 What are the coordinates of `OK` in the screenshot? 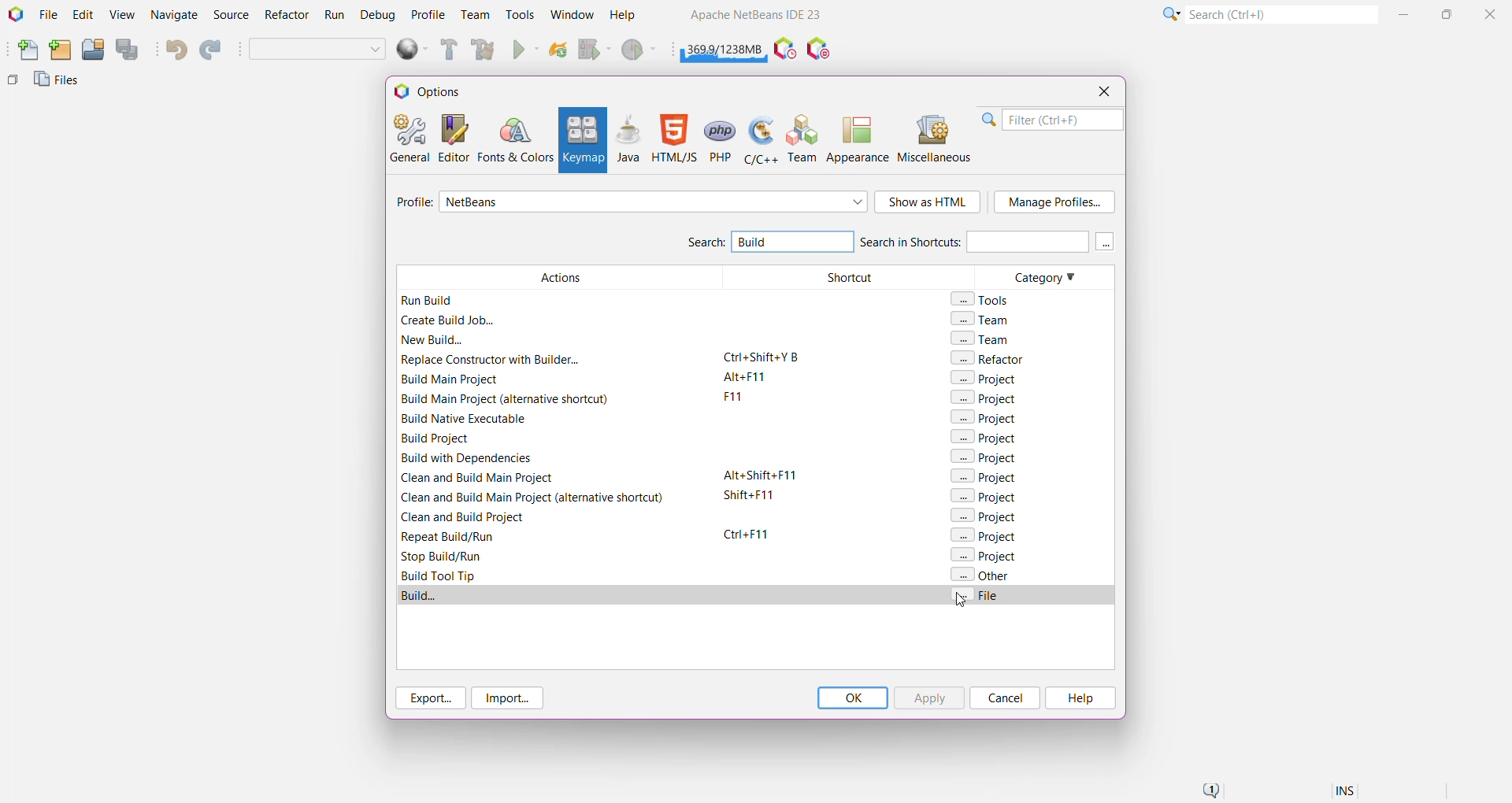 It's located at (852, 698).